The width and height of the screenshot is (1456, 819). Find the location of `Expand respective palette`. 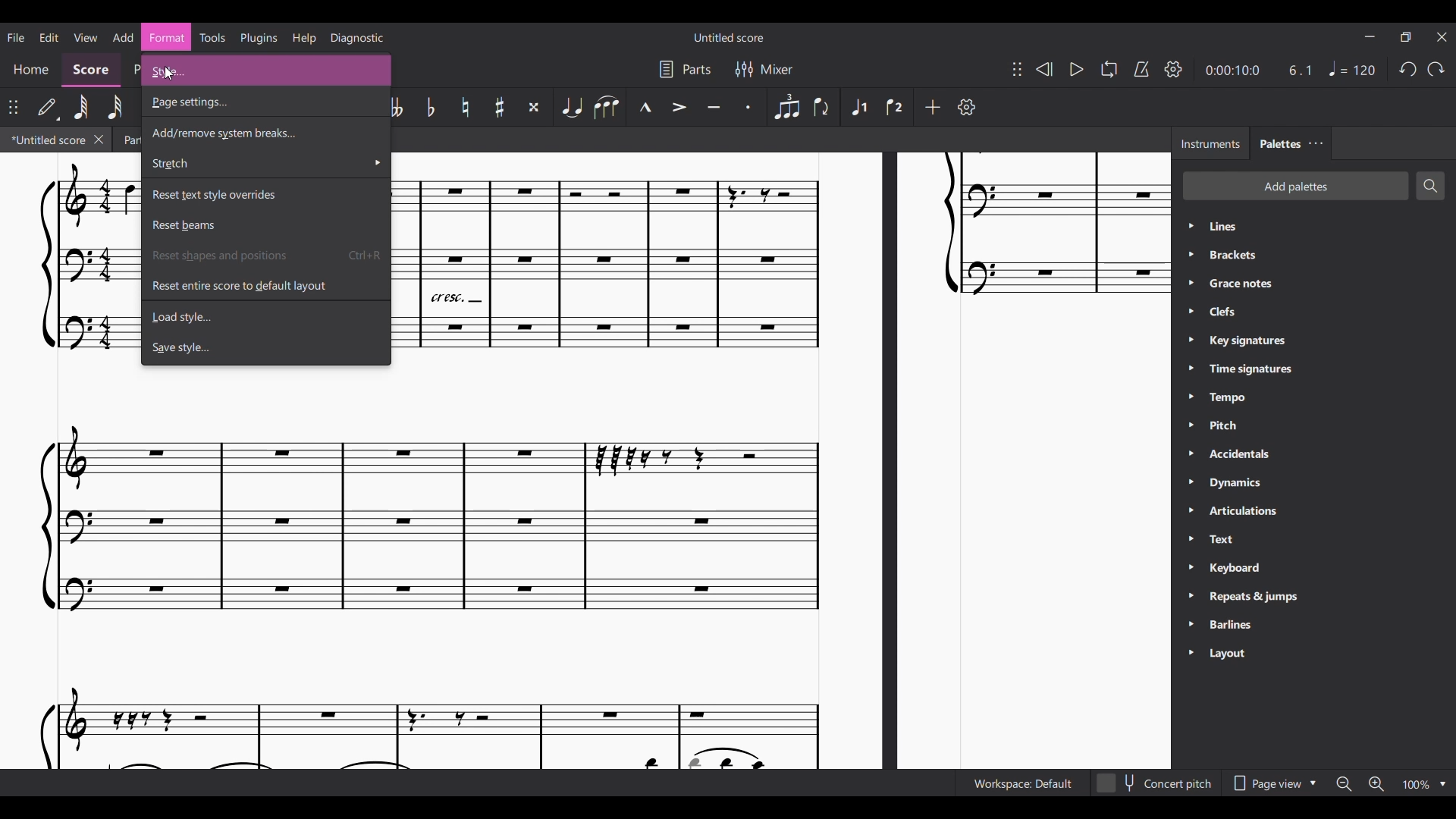

Expand respective palette is located at coordinates (1190, 441).